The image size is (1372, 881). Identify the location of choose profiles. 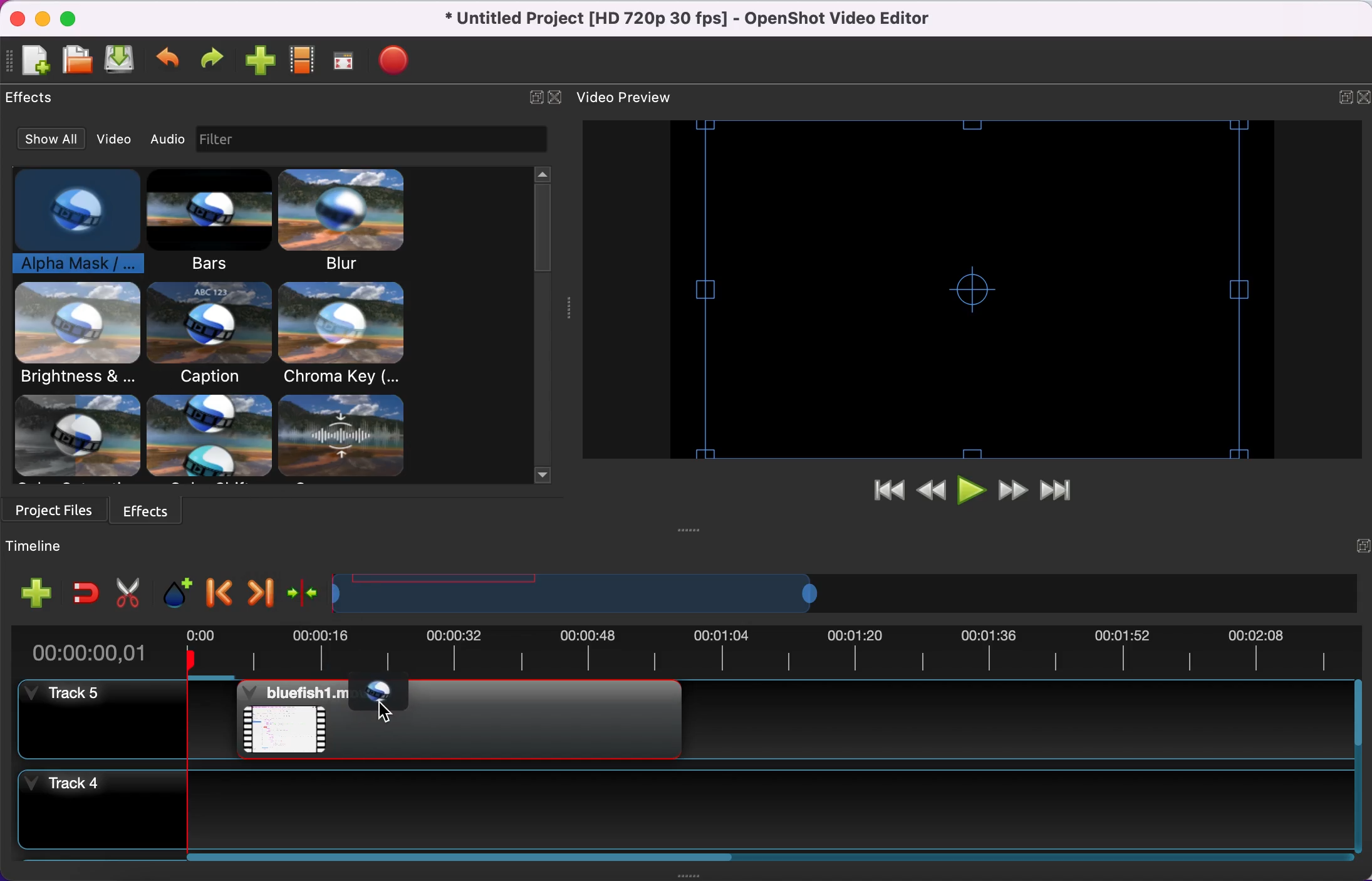
(304, 64).